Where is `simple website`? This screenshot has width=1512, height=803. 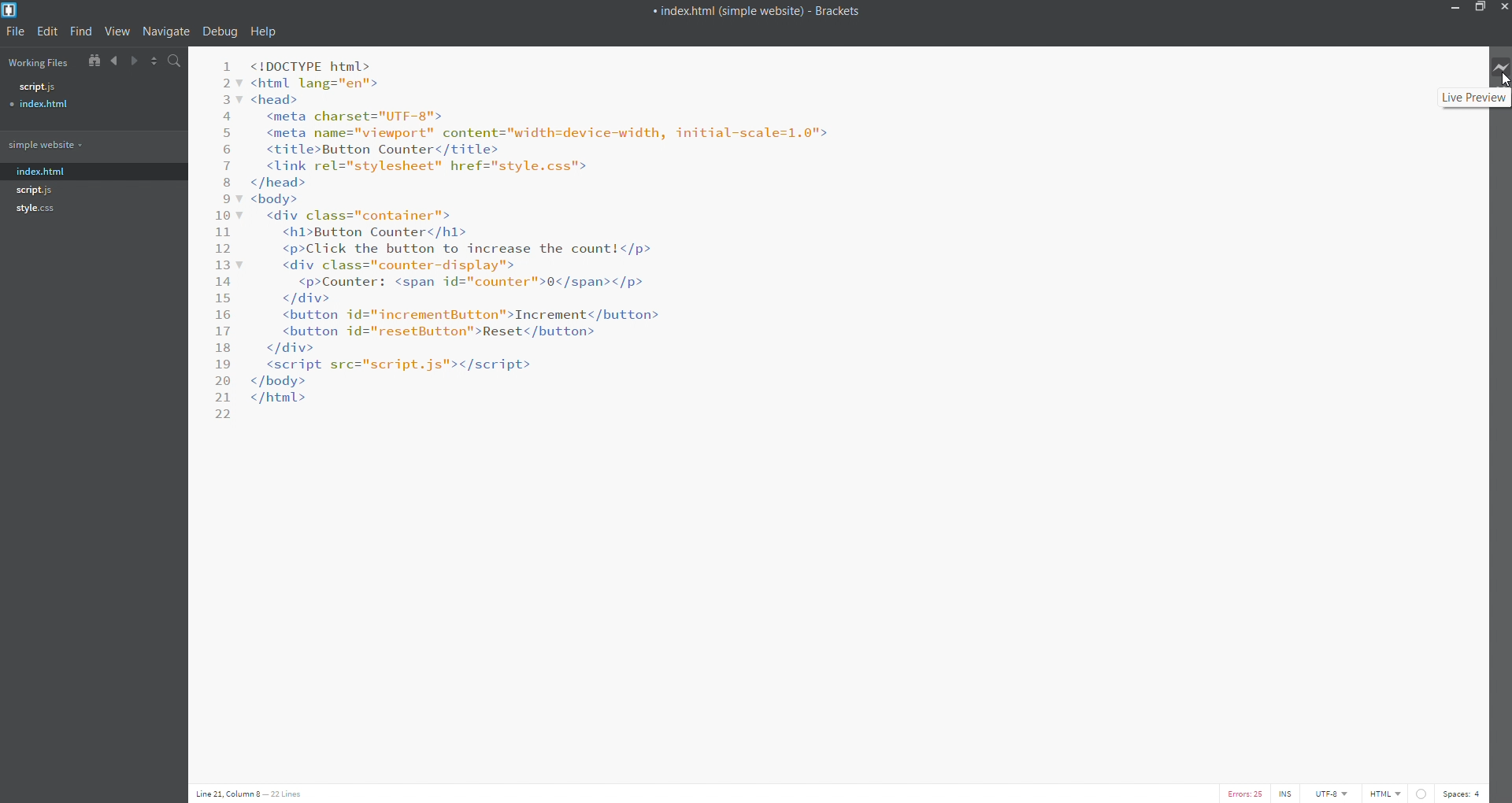
simple website is located at coordinates (90, 143).